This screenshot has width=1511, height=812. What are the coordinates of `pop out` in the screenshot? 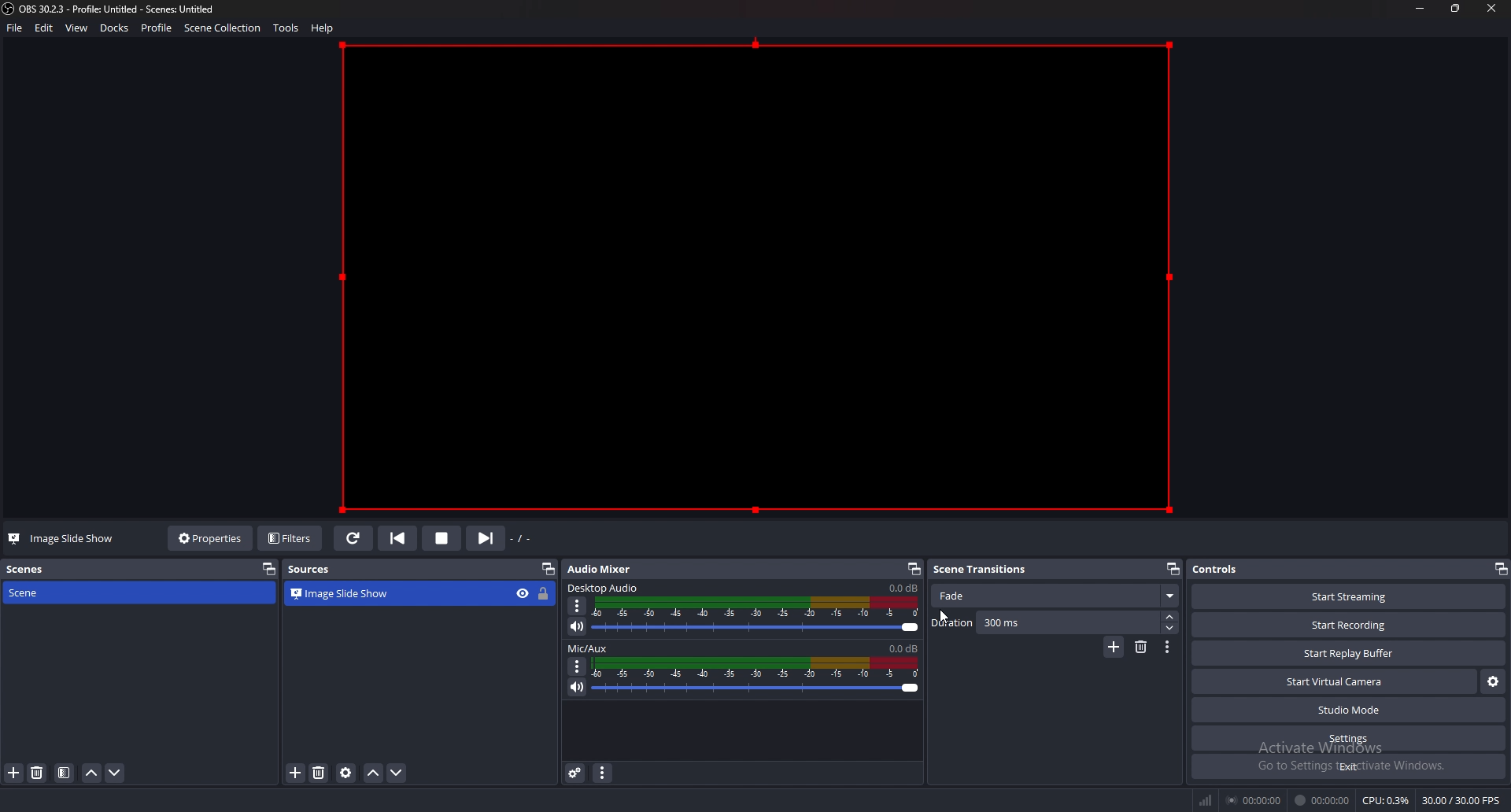 It's located at (269, 569).